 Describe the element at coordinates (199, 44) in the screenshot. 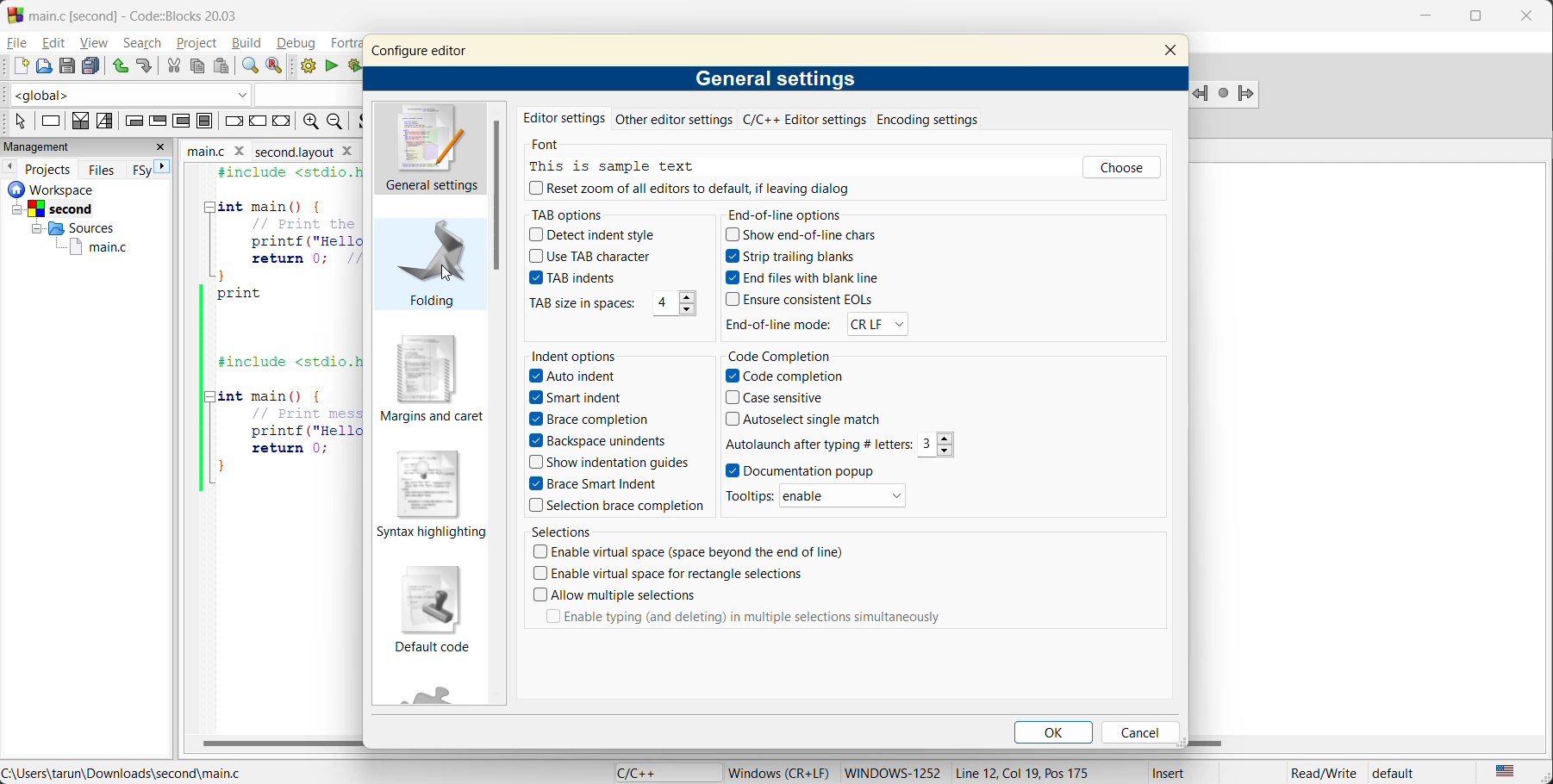

I see `project` at that location.